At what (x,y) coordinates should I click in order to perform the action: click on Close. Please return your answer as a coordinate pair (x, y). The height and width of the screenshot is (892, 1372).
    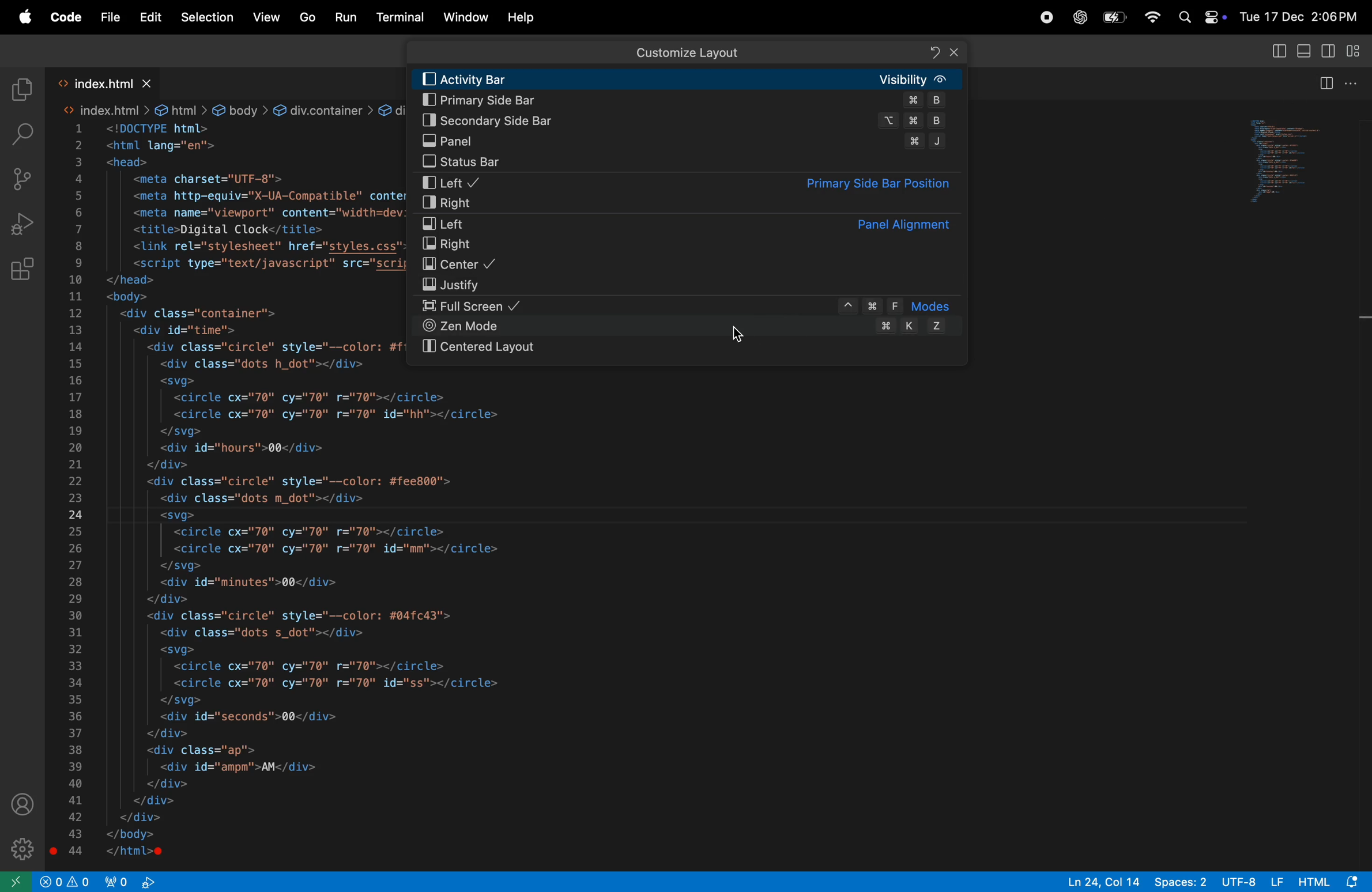
    Looking at the image, I should click on (955, 52).